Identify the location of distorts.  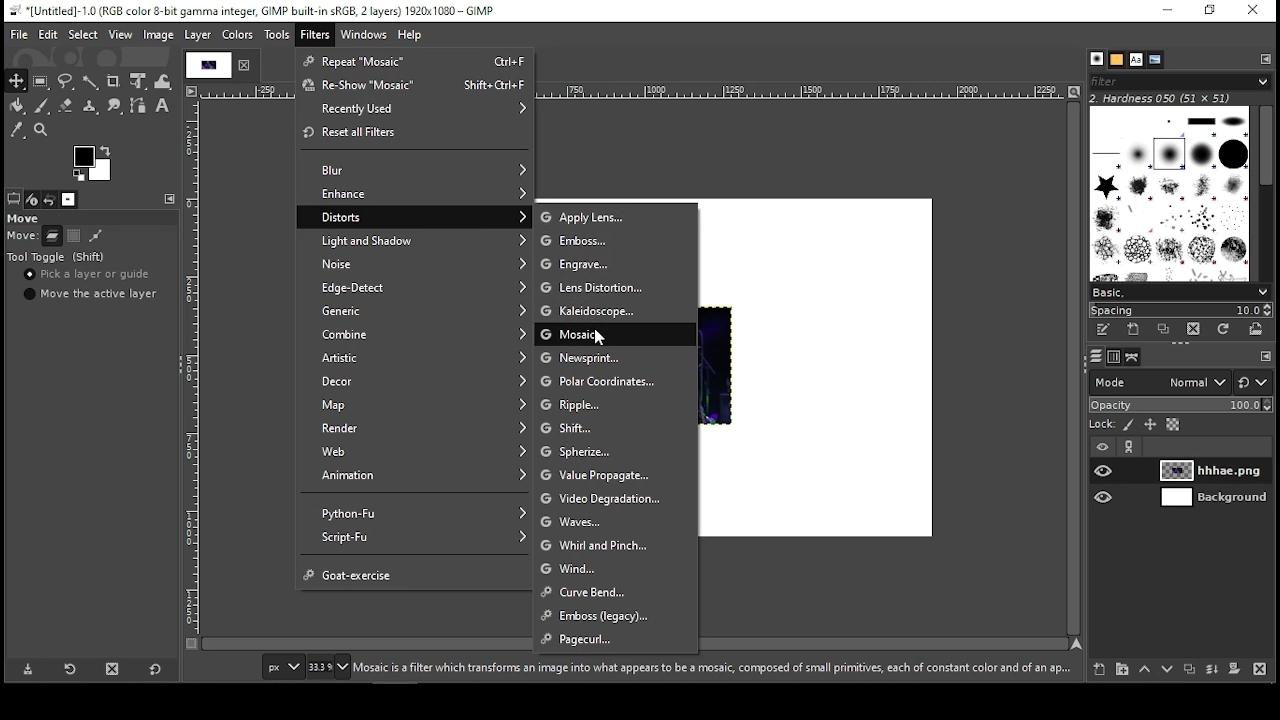
(412, 217).